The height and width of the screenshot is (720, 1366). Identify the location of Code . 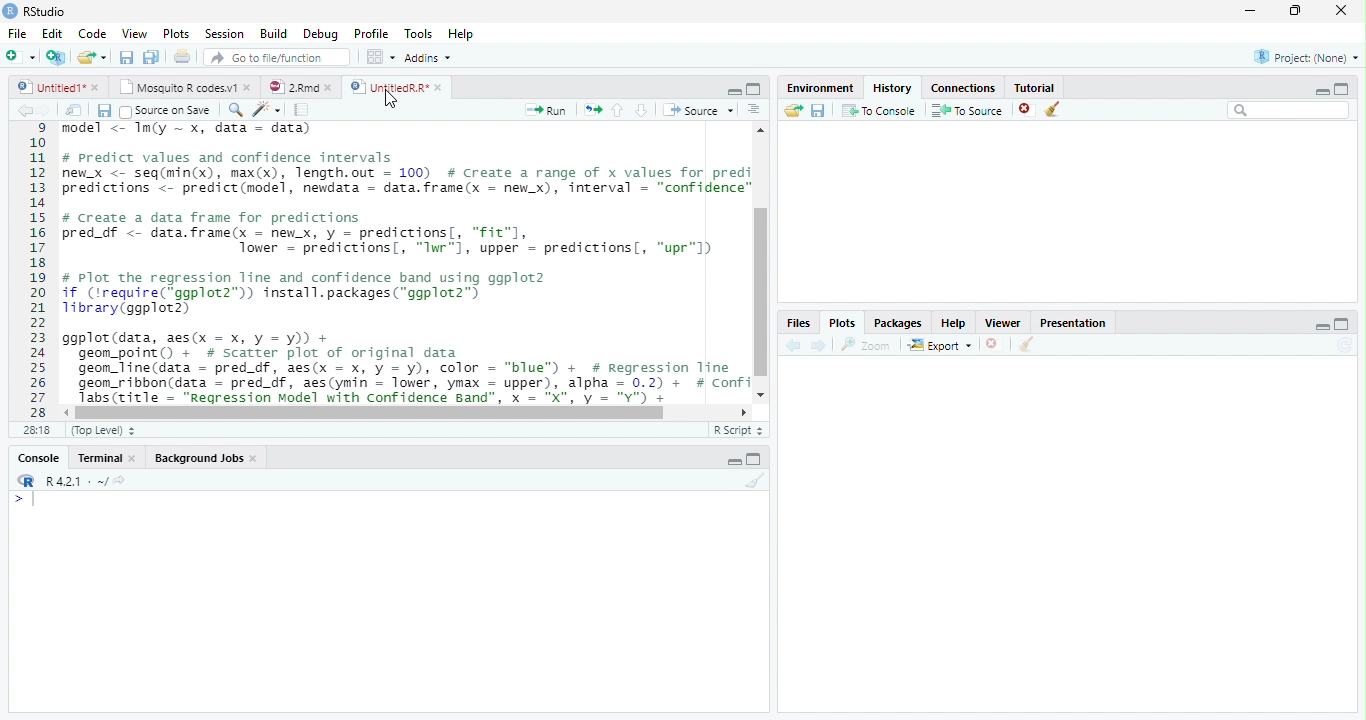
(268, 110).